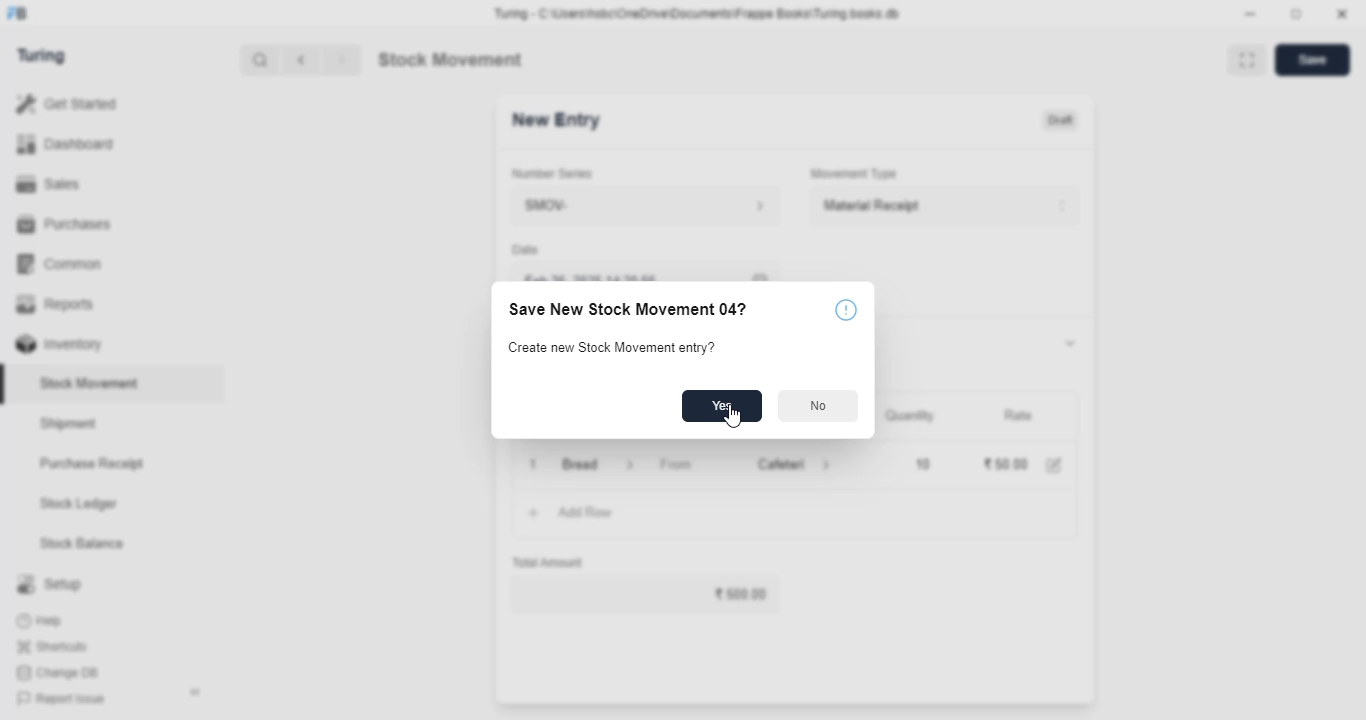 The image size is (1366, 720). What do you see at coordinates (910, 416) in the screenshot?
I see `quantity` at bounding box center [910, 416].